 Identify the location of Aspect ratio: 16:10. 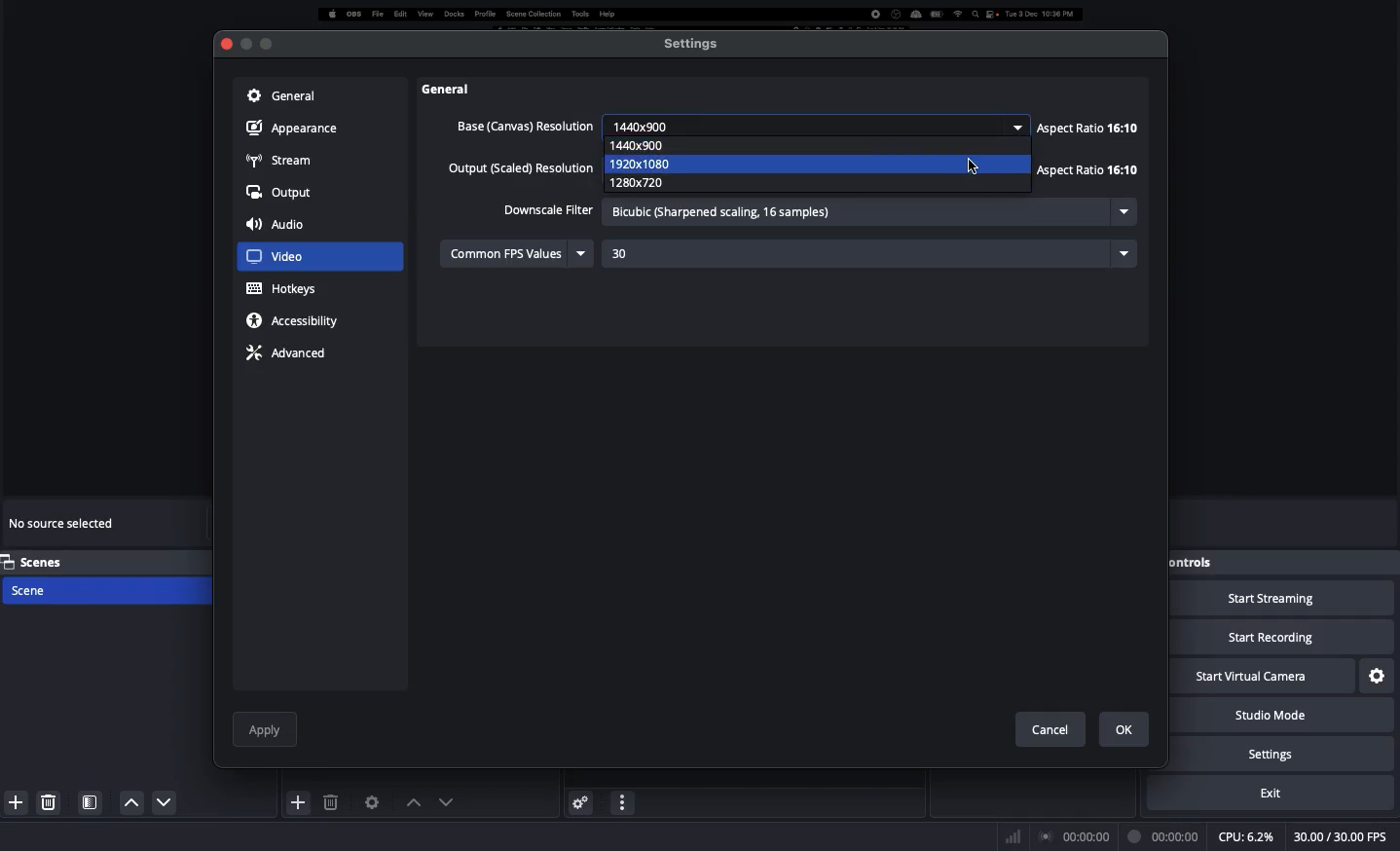
(1090, 149).